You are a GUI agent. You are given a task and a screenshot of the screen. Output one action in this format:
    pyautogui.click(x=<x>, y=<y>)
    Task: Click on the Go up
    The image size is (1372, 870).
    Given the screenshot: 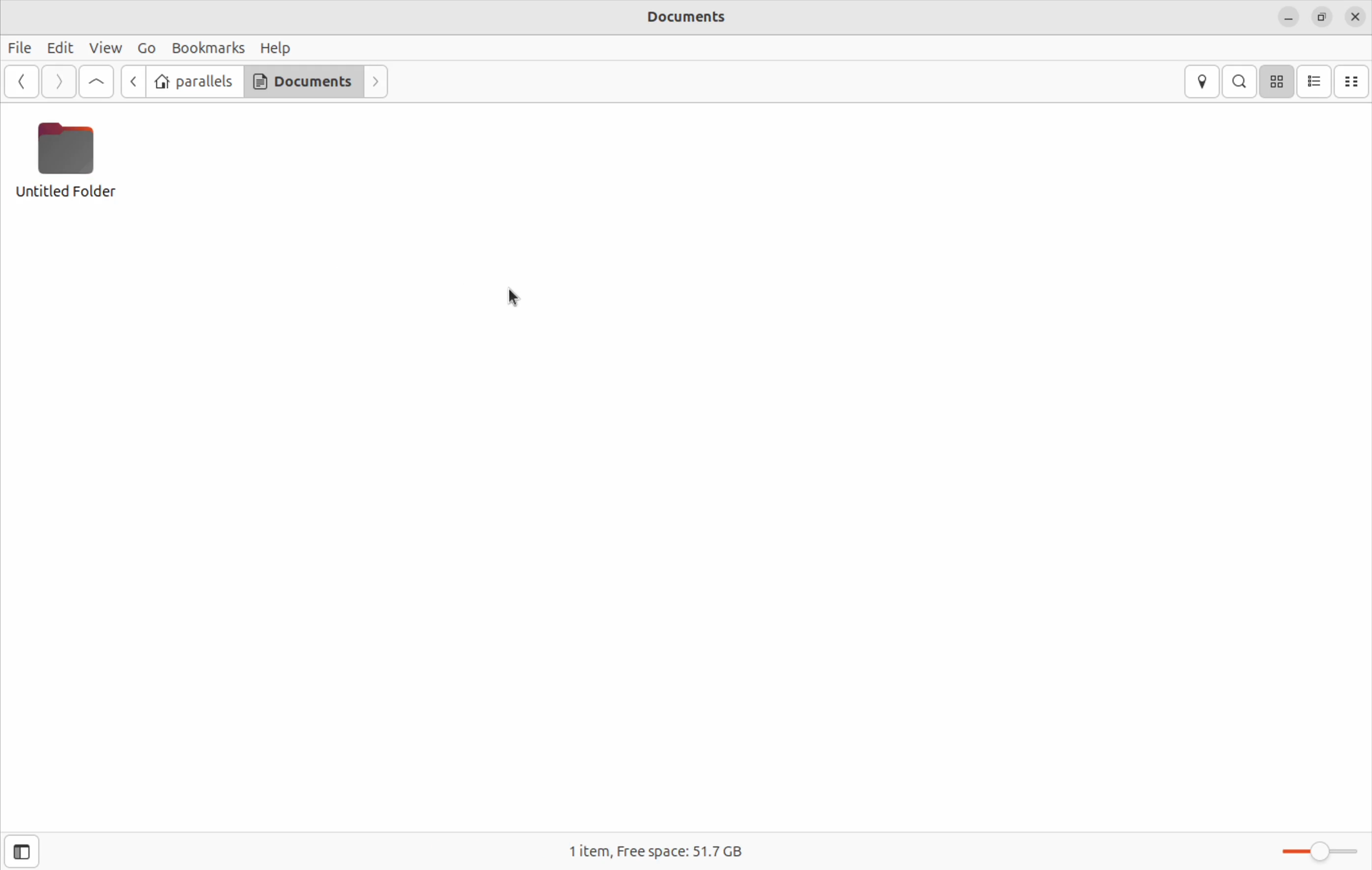 What is the action you would take?
    pyautogui.click(x=96, y=81)
    